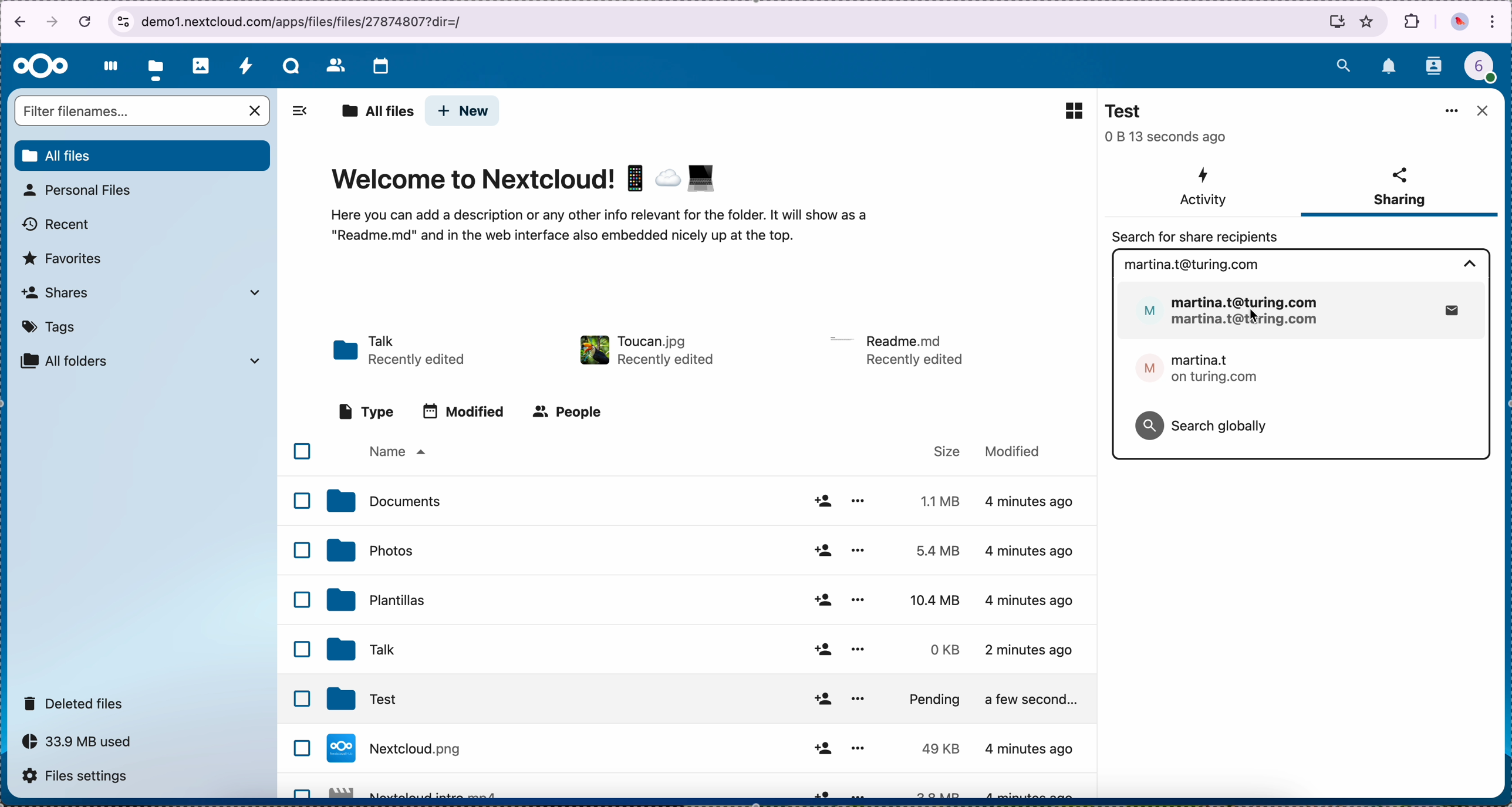 Image resolution: width=1512 pixels, height=807 pixels. I want to click on talk folder, so click(401, 352).